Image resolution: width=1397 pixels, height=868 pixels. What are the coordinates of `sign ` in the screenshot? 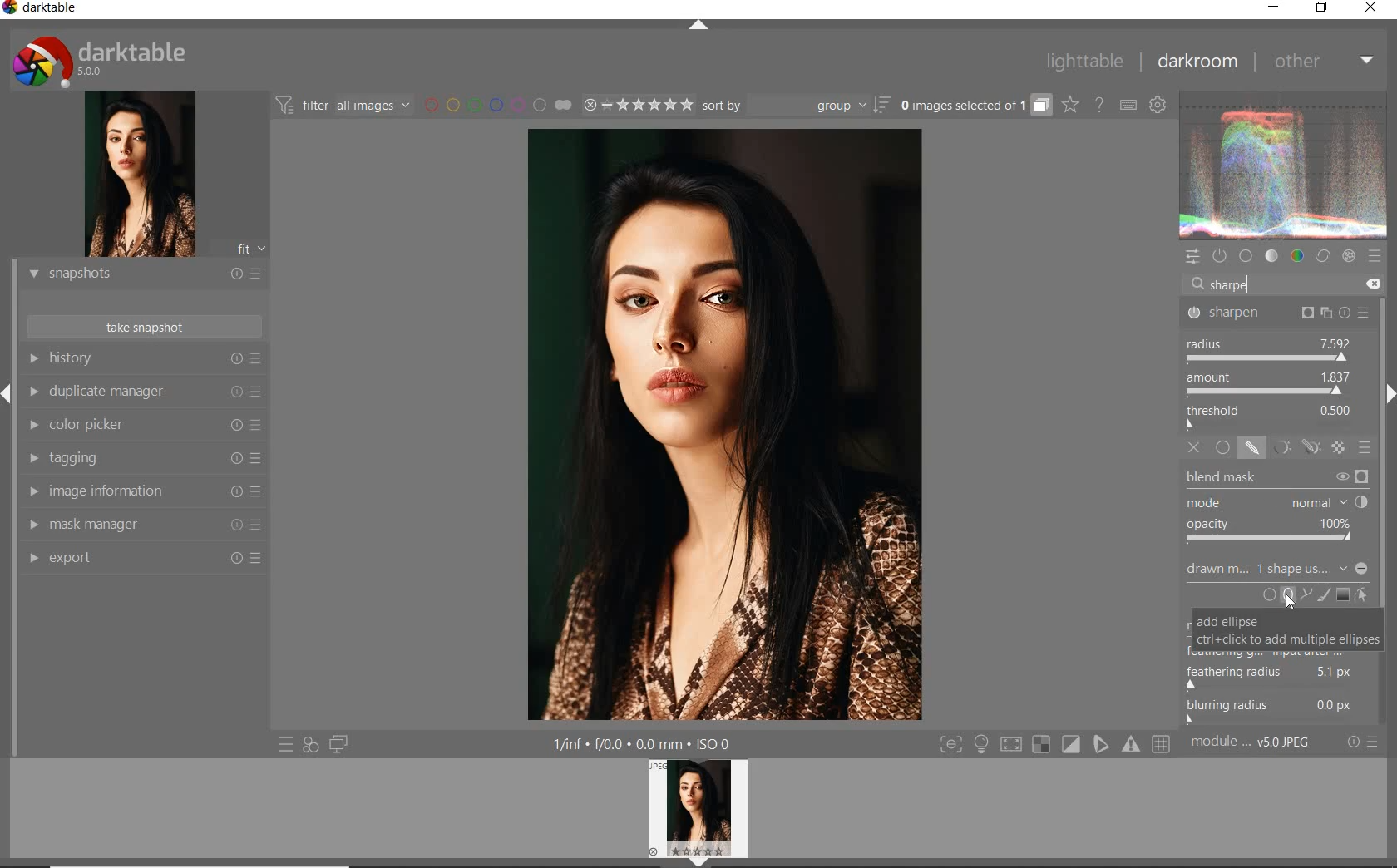 It's located at (1133, 747).